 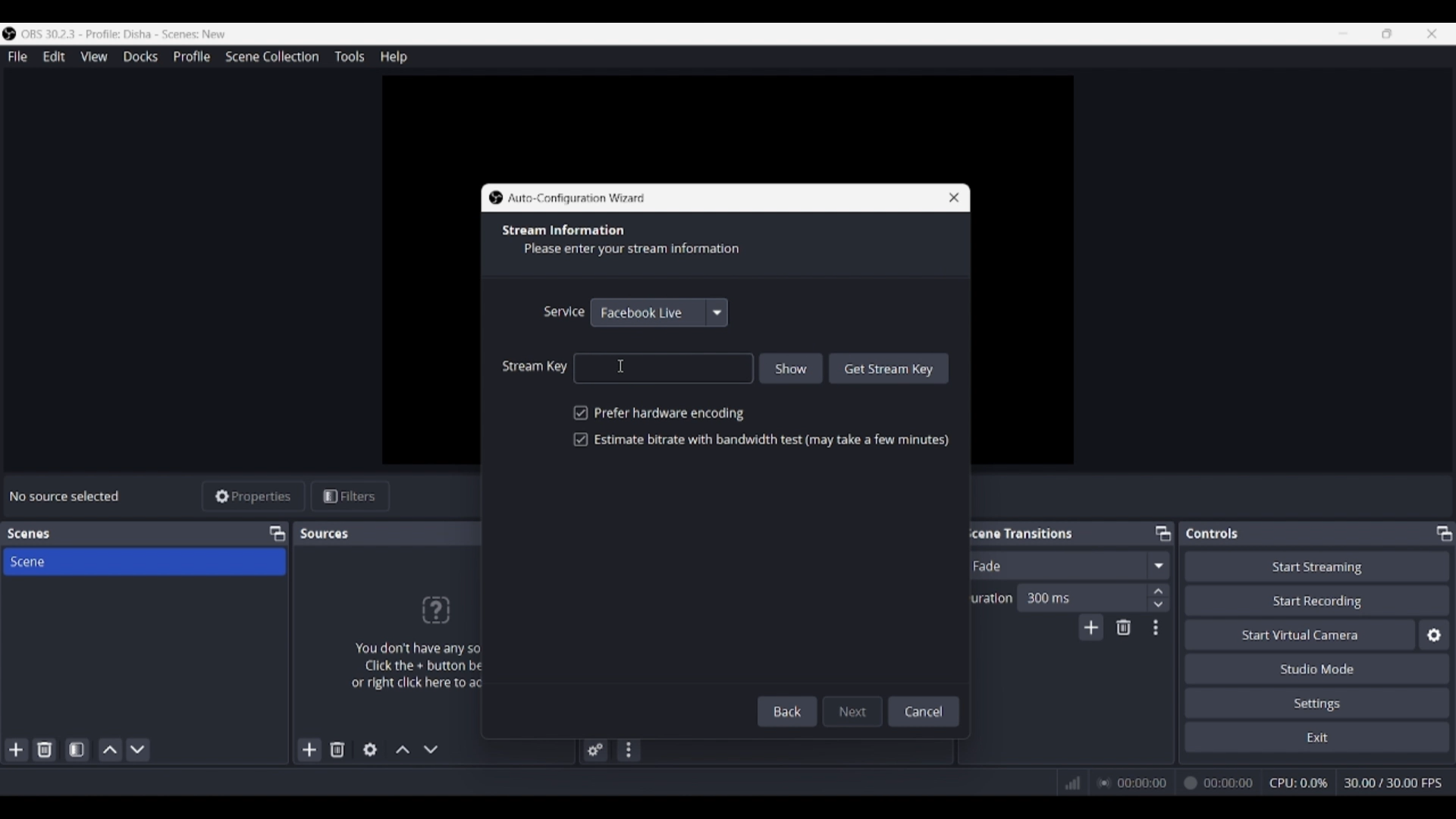 I want to click on Panel title, so click(x=29, y=534).